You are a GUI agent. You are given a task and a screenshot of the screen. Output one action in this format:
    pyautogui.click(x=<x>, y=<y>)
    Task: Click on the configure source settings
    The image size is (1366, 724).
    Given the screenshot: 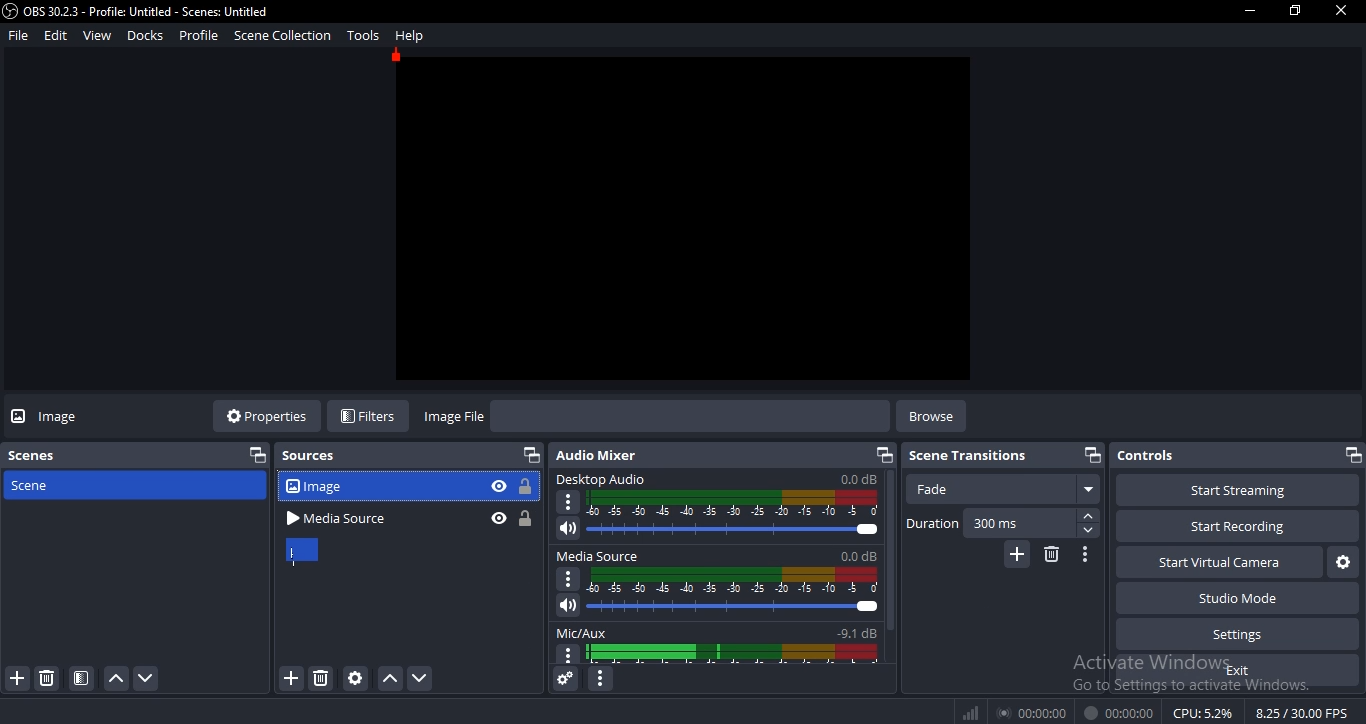 What is the action you would take?
    pyautogui.click(x=354, y=678)
    